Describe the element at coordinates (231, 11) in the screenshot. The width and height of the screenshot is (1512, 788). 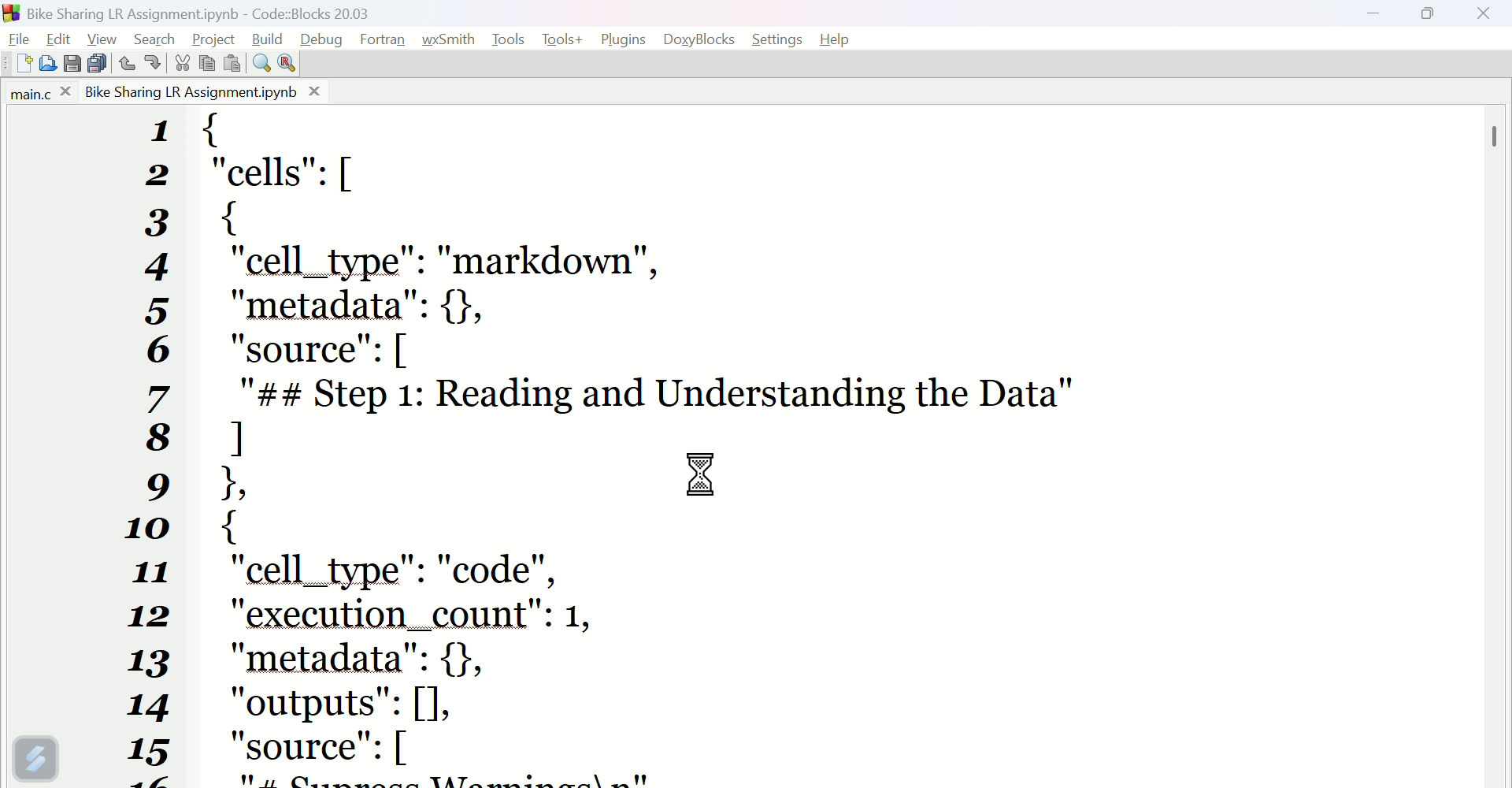
I see `BikesharingLrassignment.Ipynb code blocks 20.03` at that location.